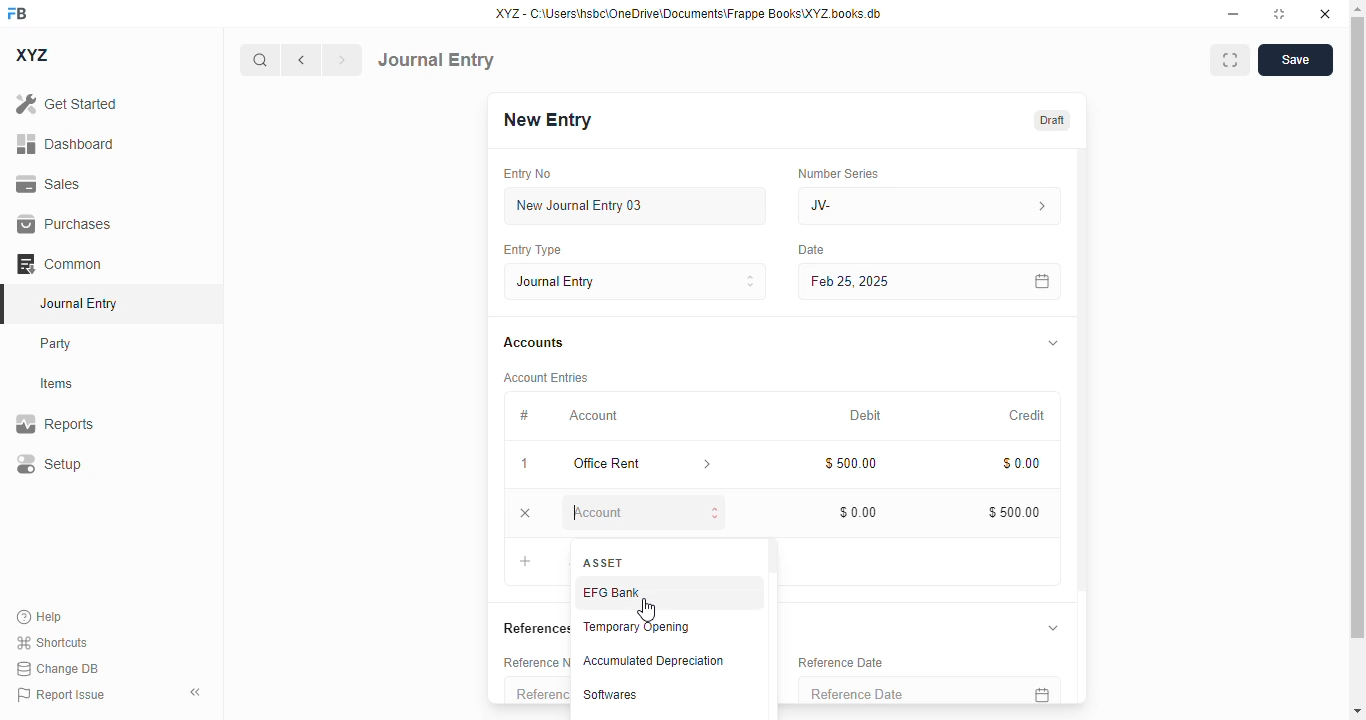 This screenshot has height=720, width=1366. Describe the element at coordinates (1053, 628) in the screenshot. I see `toggle expand/collapse` at that location.